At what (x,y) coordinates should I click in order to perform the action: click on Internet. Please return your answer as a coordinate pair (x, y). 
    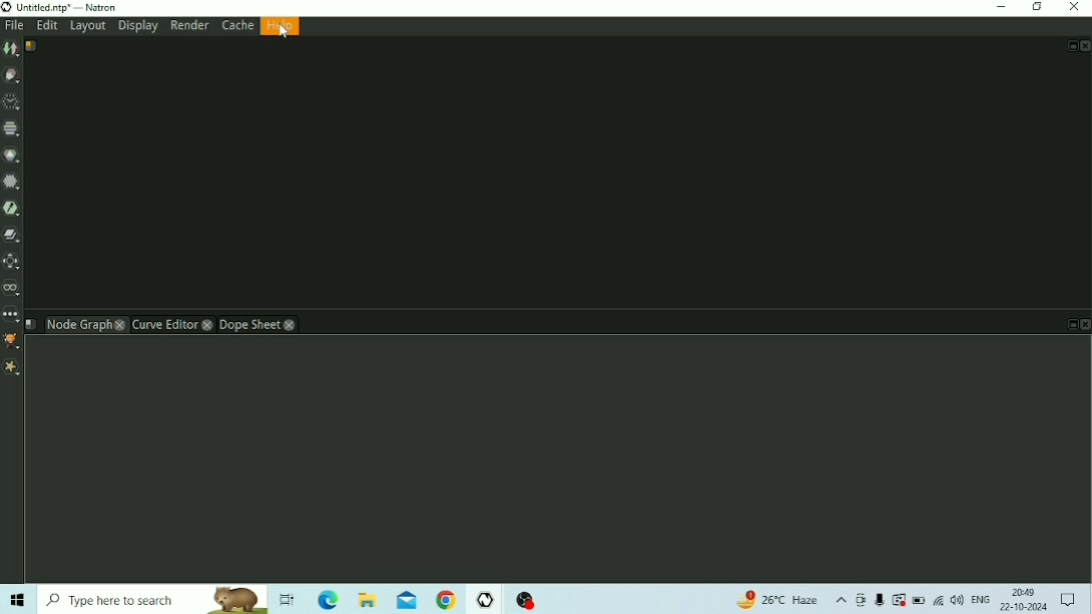
    Looking at the image, I should click on (937, 600).